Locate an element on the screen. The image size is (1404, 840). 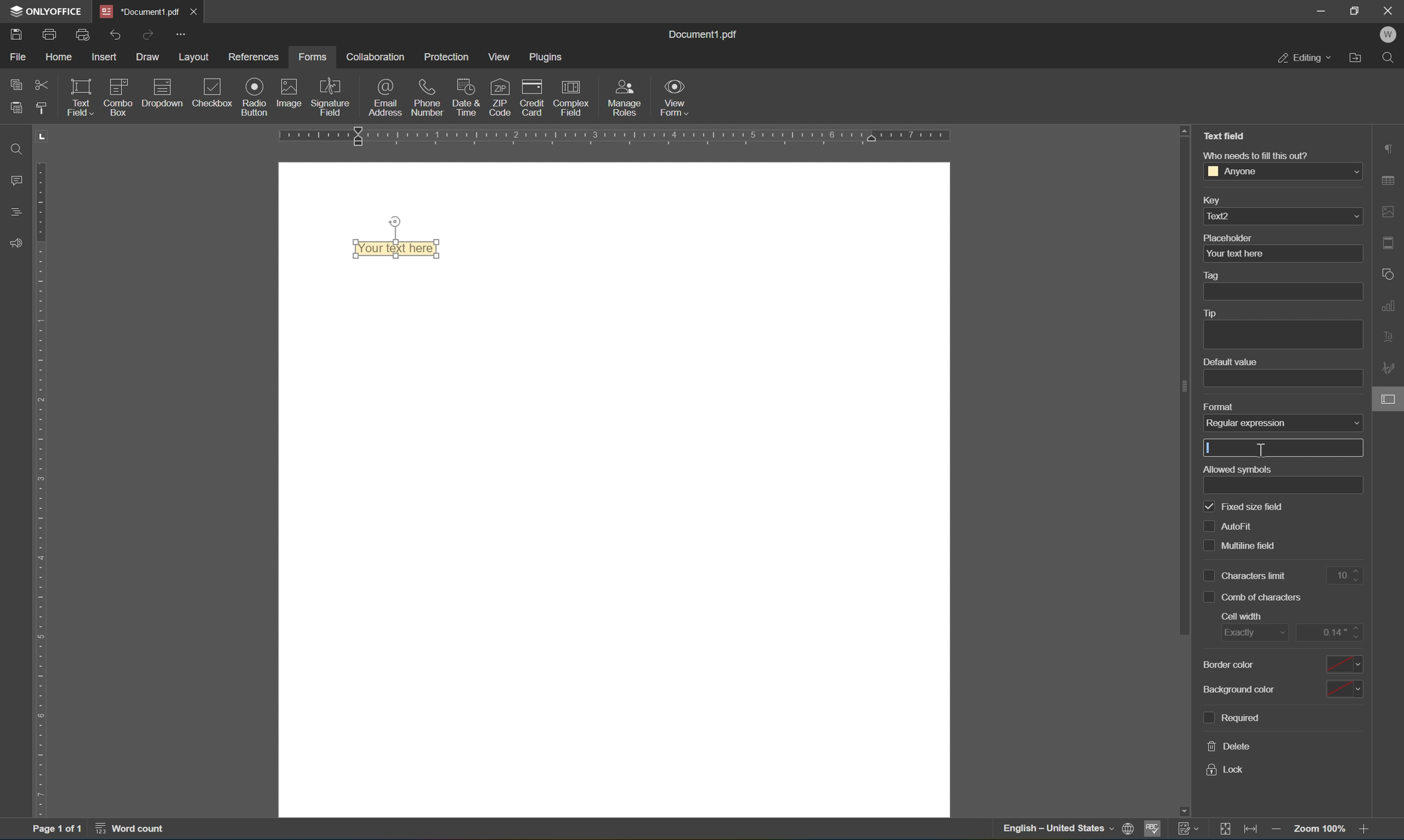
phone number is located at coordinates (426, 96).